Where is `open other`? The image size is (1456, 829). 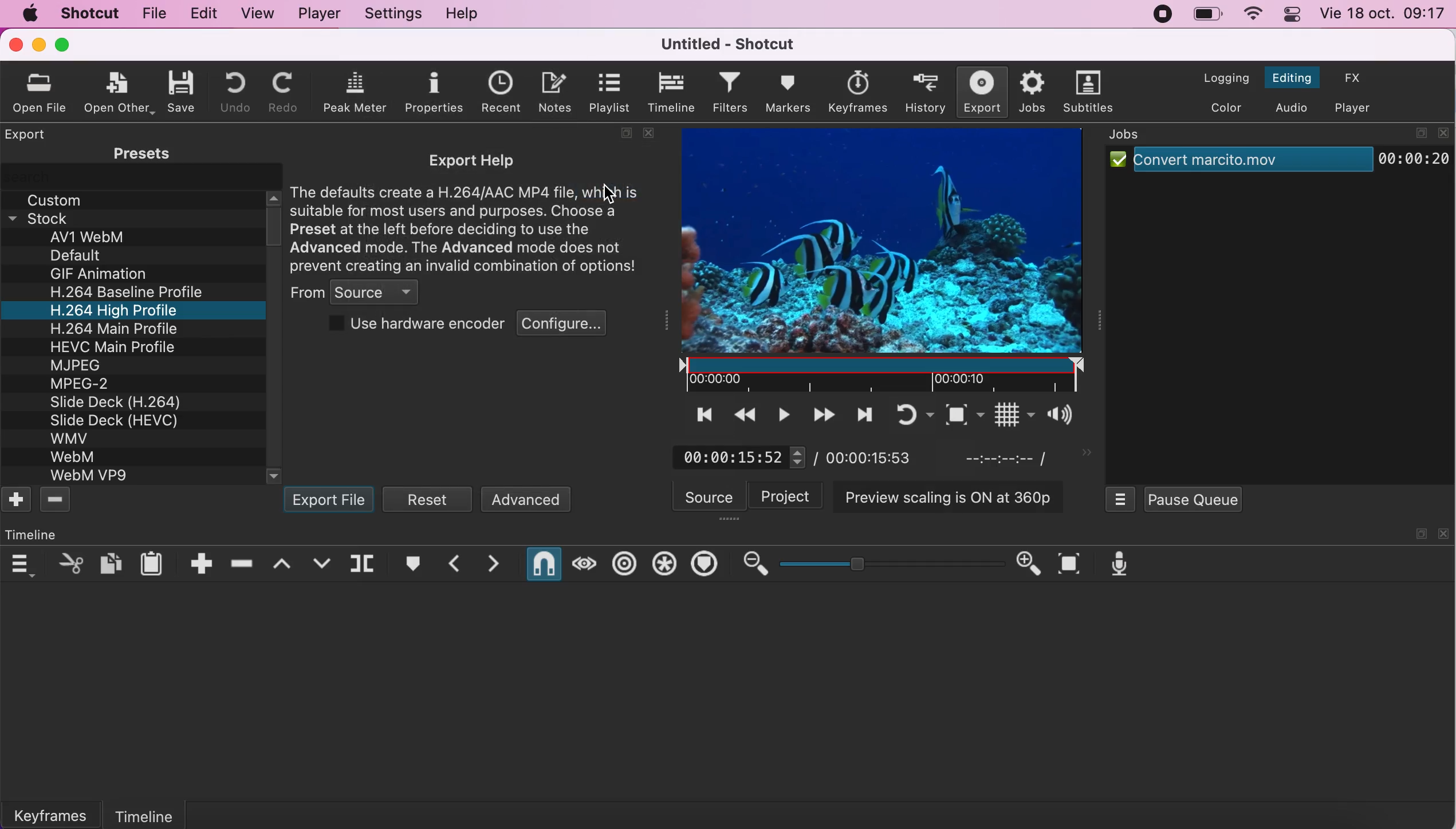 open other is located at coordinates (121, 91).